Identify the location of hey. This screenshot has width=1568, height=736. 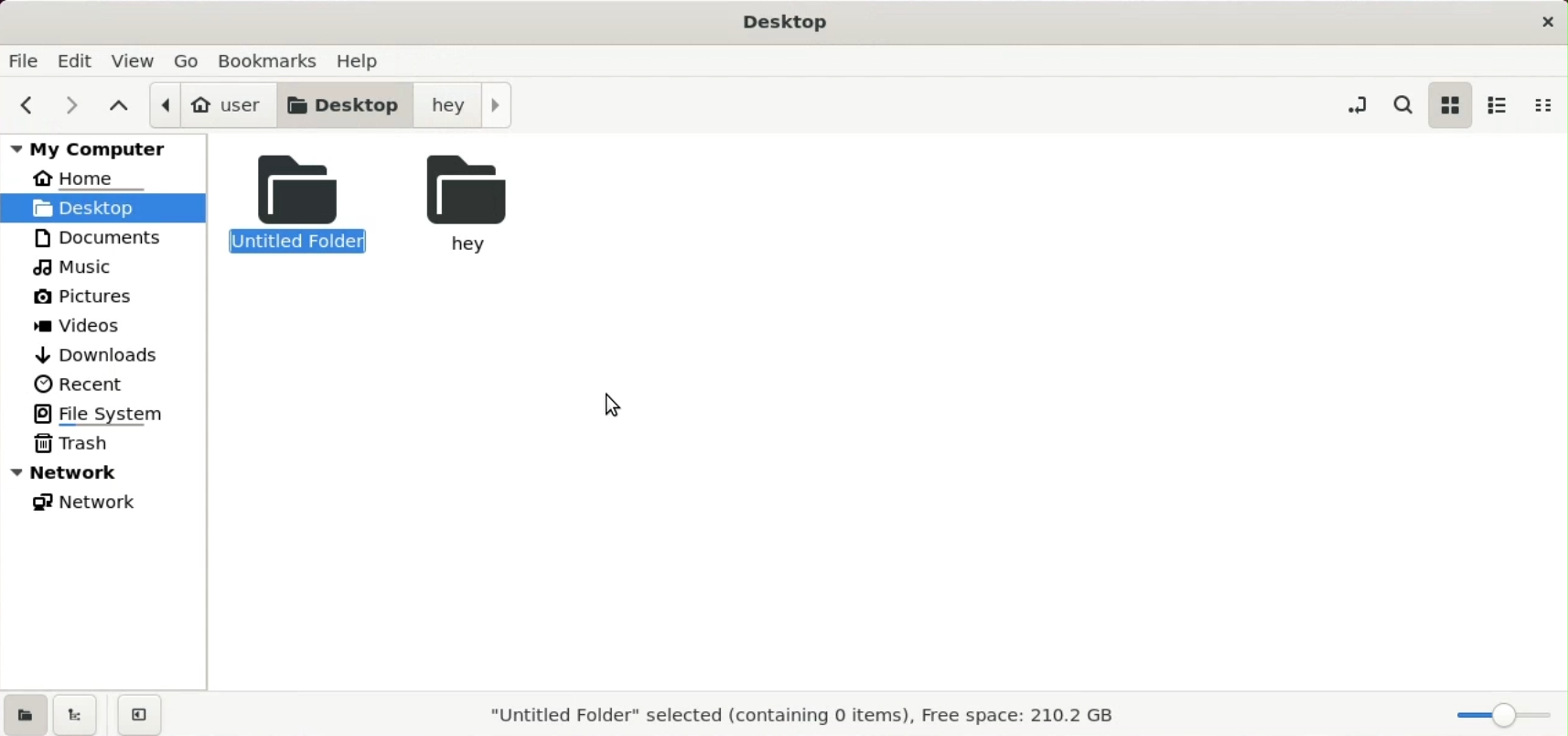
(467, 104).